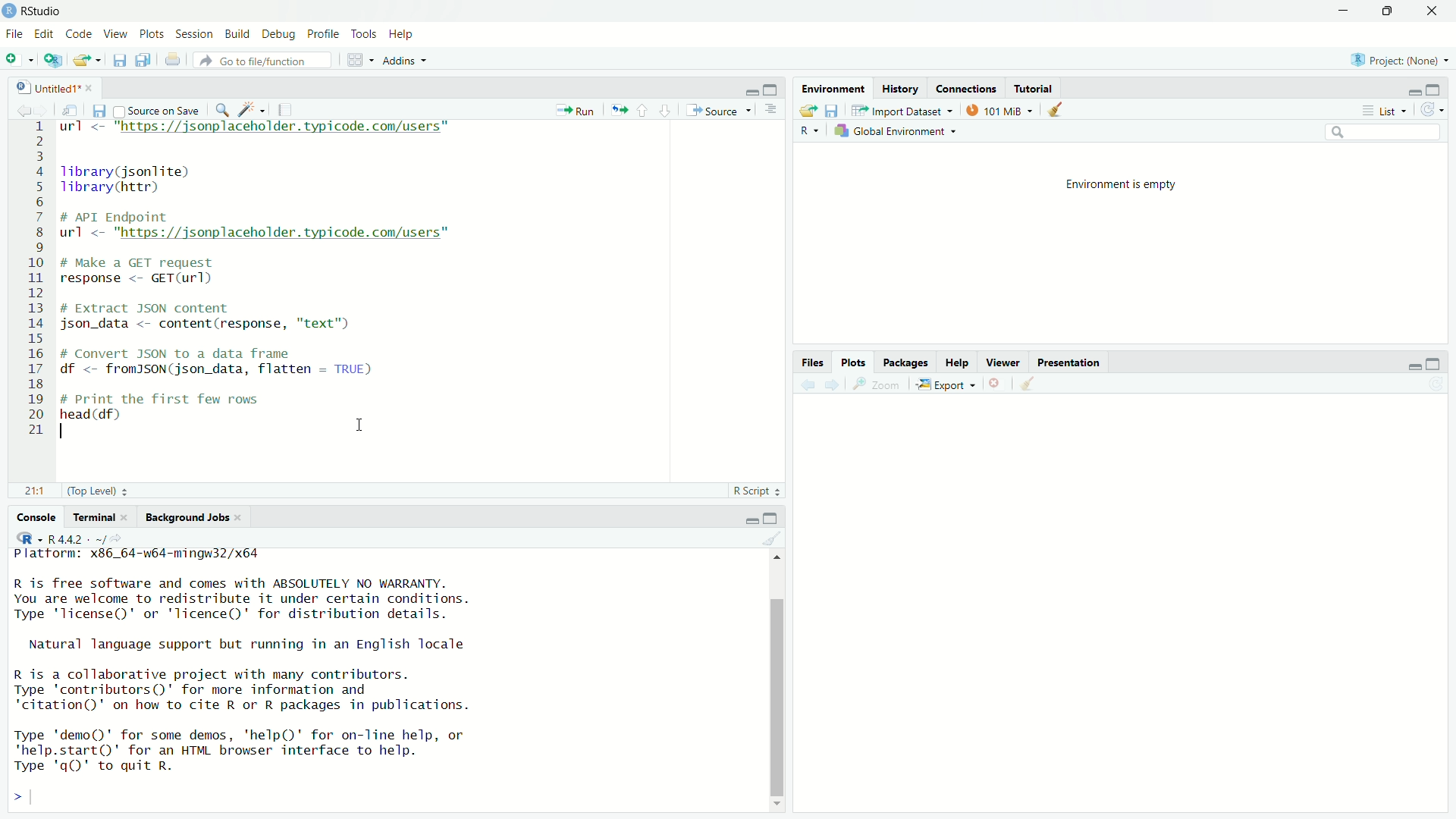 This screenshot has width=1456, height=819. What do you see at coordinates (808, 111) in the screenshot?
I see `Load` at bounding box center [808, 111].